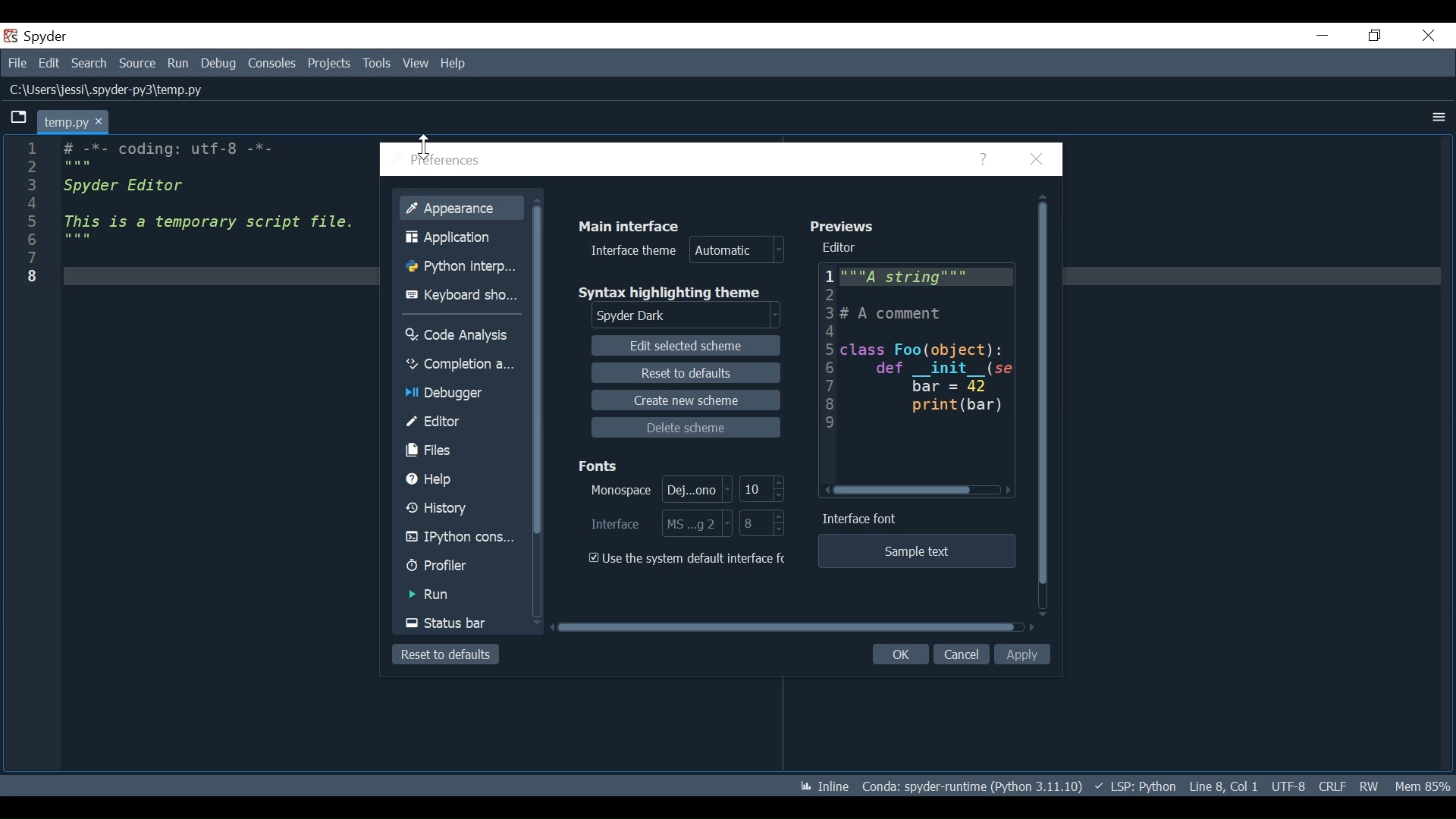  I want to click on C:\USERS\JESSIN.SPyder-pys\temp.py, so click(115, 92).